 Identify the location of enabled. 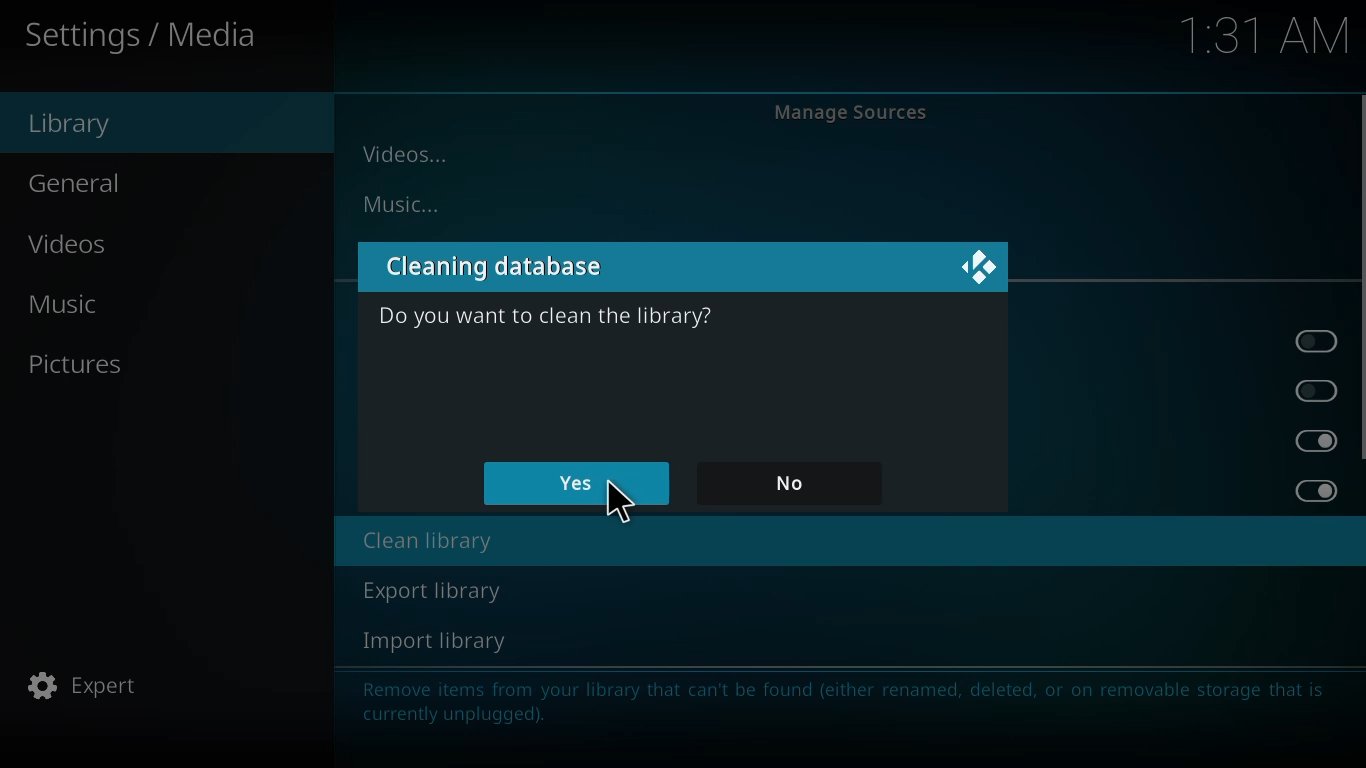
(1316, 441).